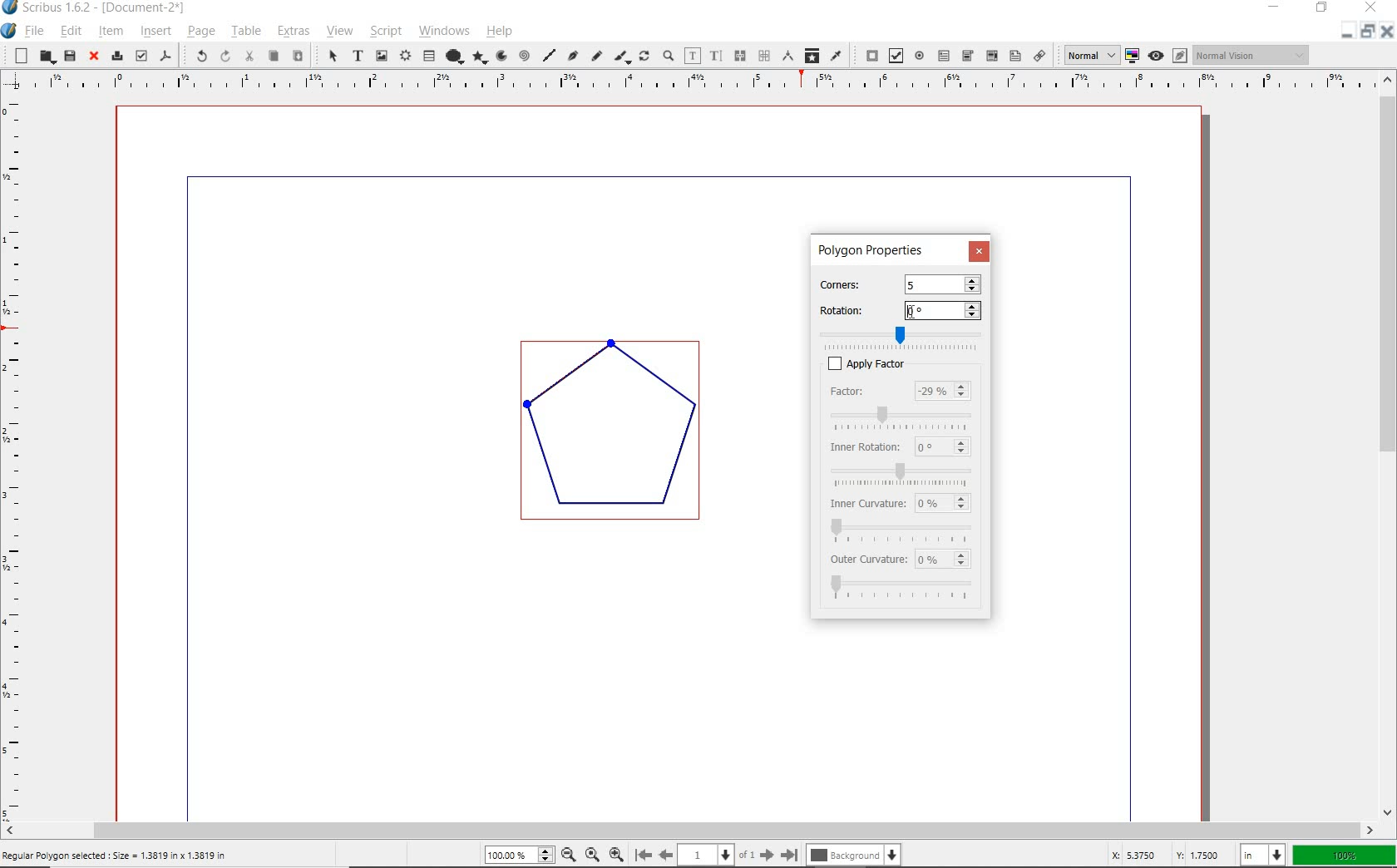 The height and width of the screenshot is (868, 1397). What do you see at coordinates (902, 471) in the screenshot?
I see `inner rotation slider` at bounding box center [902, 471].